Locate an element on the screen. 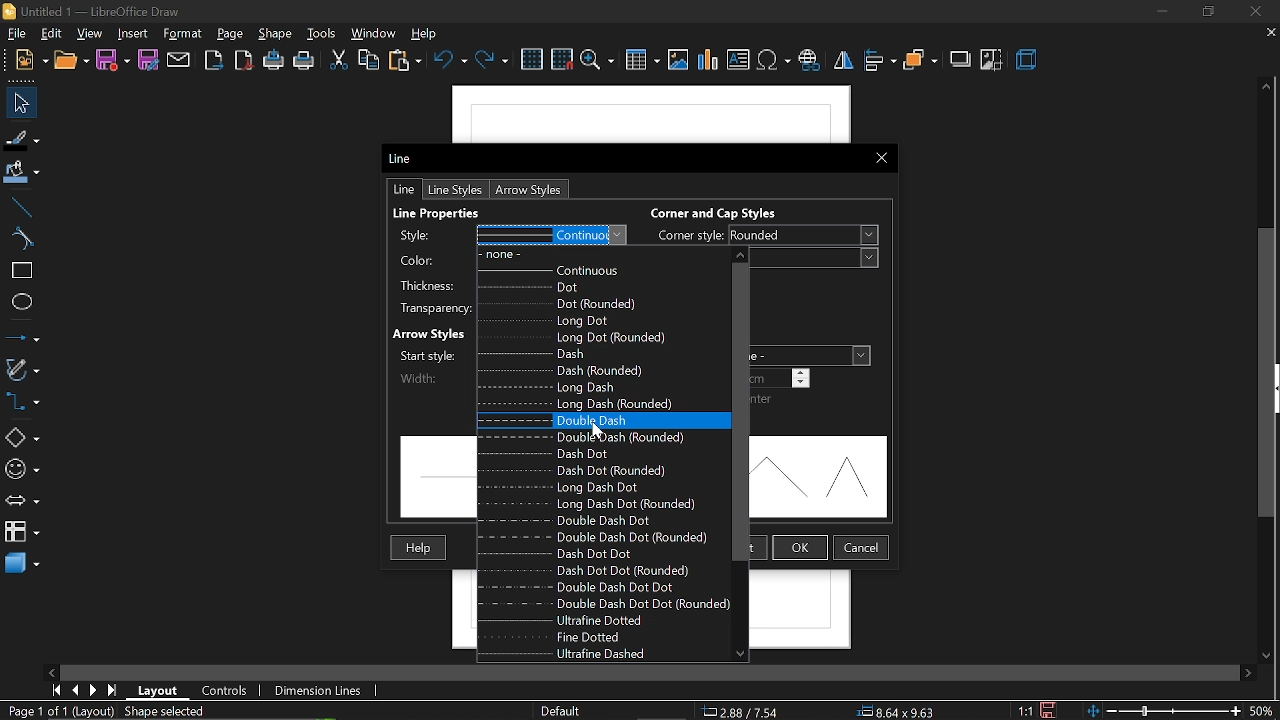 The image size is (1280, 720). 3d shapes is located at coordinates (21, 563).